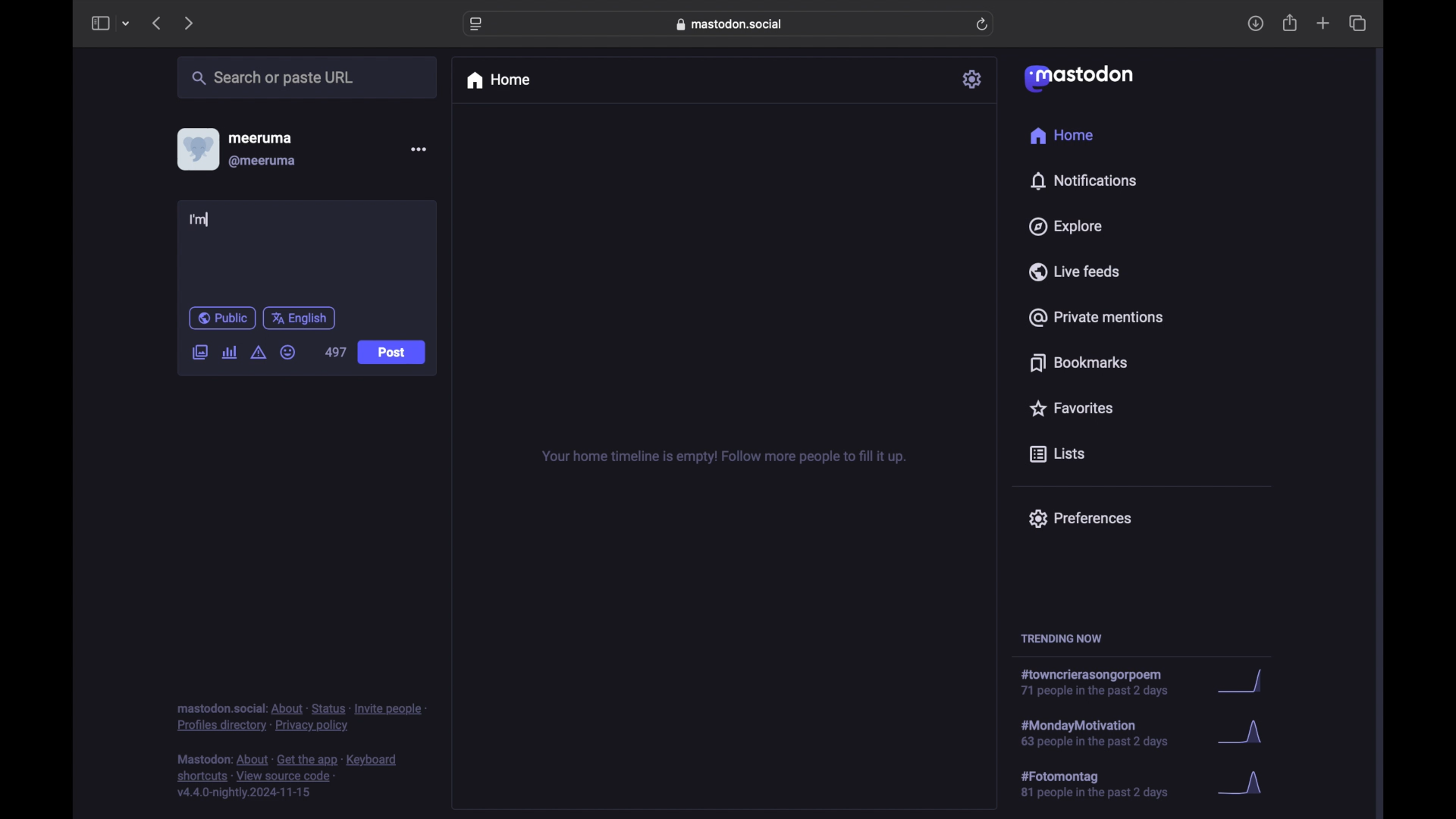  I want to click on new tab overview, so click(1323, 23).